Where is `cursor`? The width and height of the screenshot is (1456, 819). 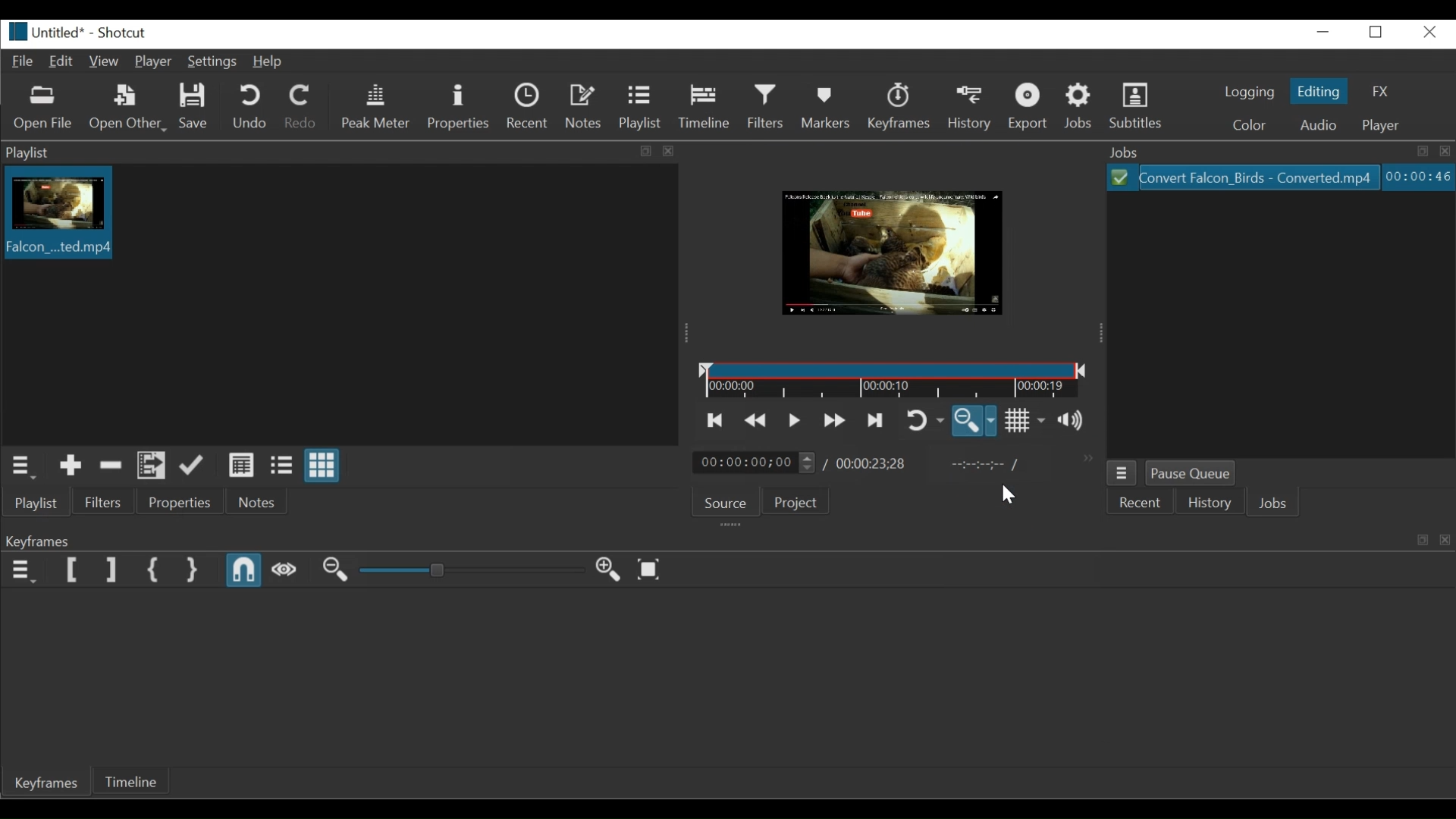 cursor is located at coordinates (1009, 494).